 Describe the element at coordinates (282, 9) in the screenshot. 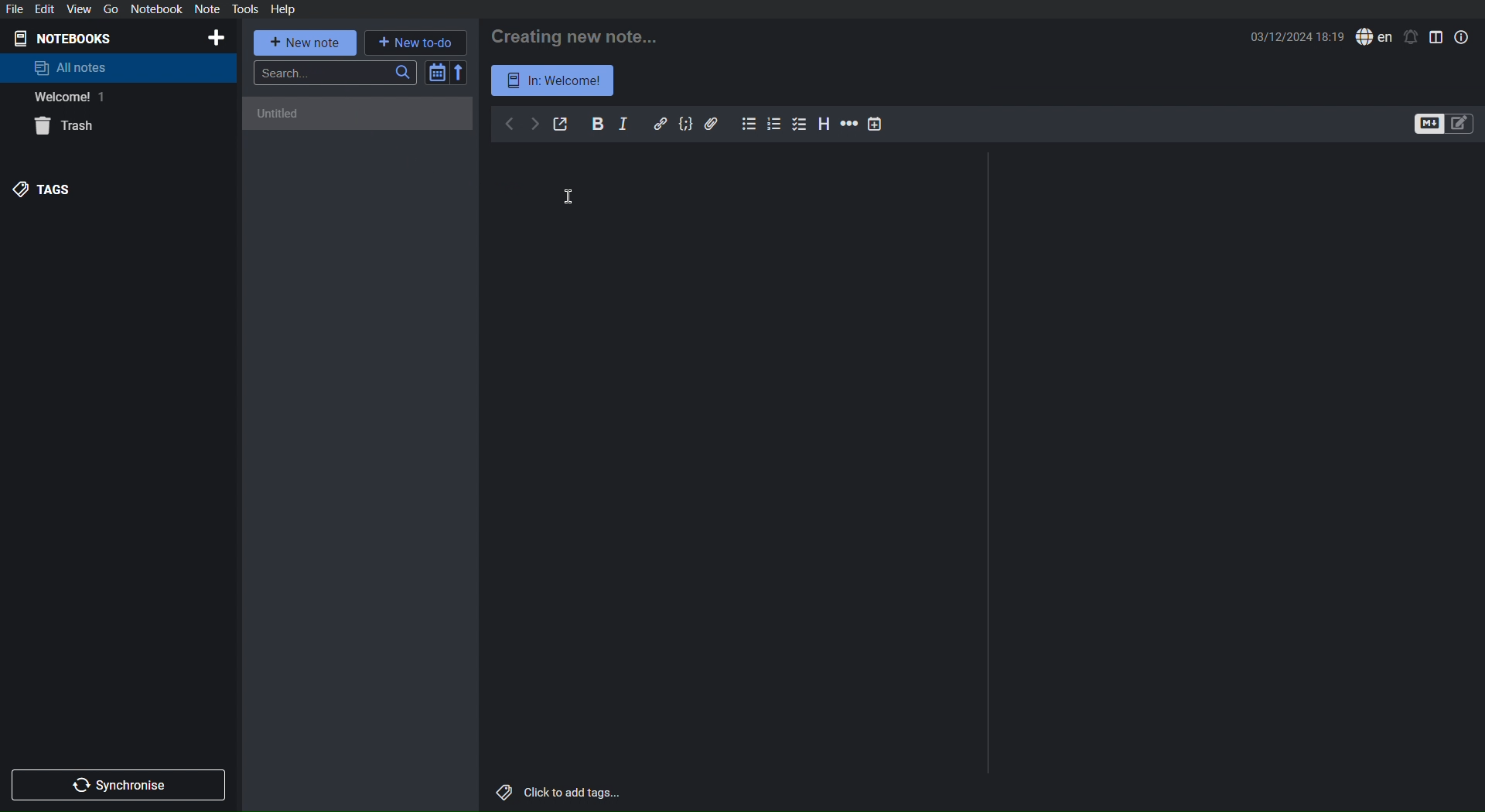

I see `Help` at that location.